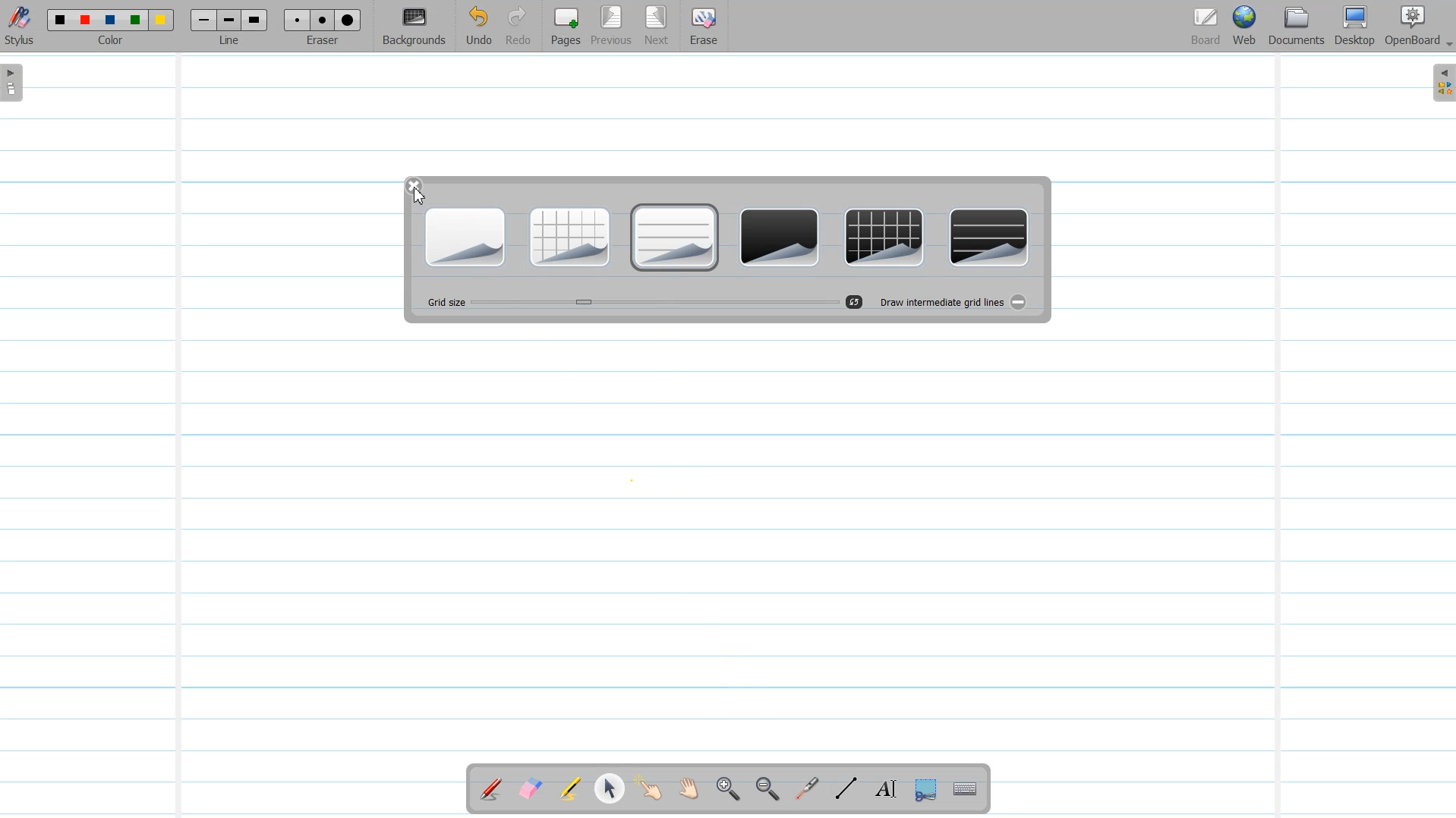 Image resolution: width=1456 pixels, height=818 pixels. What do you see at coordinates (491, 789) in the screenshot?
I see `Annotate Document` at bounding box center [491, 789].